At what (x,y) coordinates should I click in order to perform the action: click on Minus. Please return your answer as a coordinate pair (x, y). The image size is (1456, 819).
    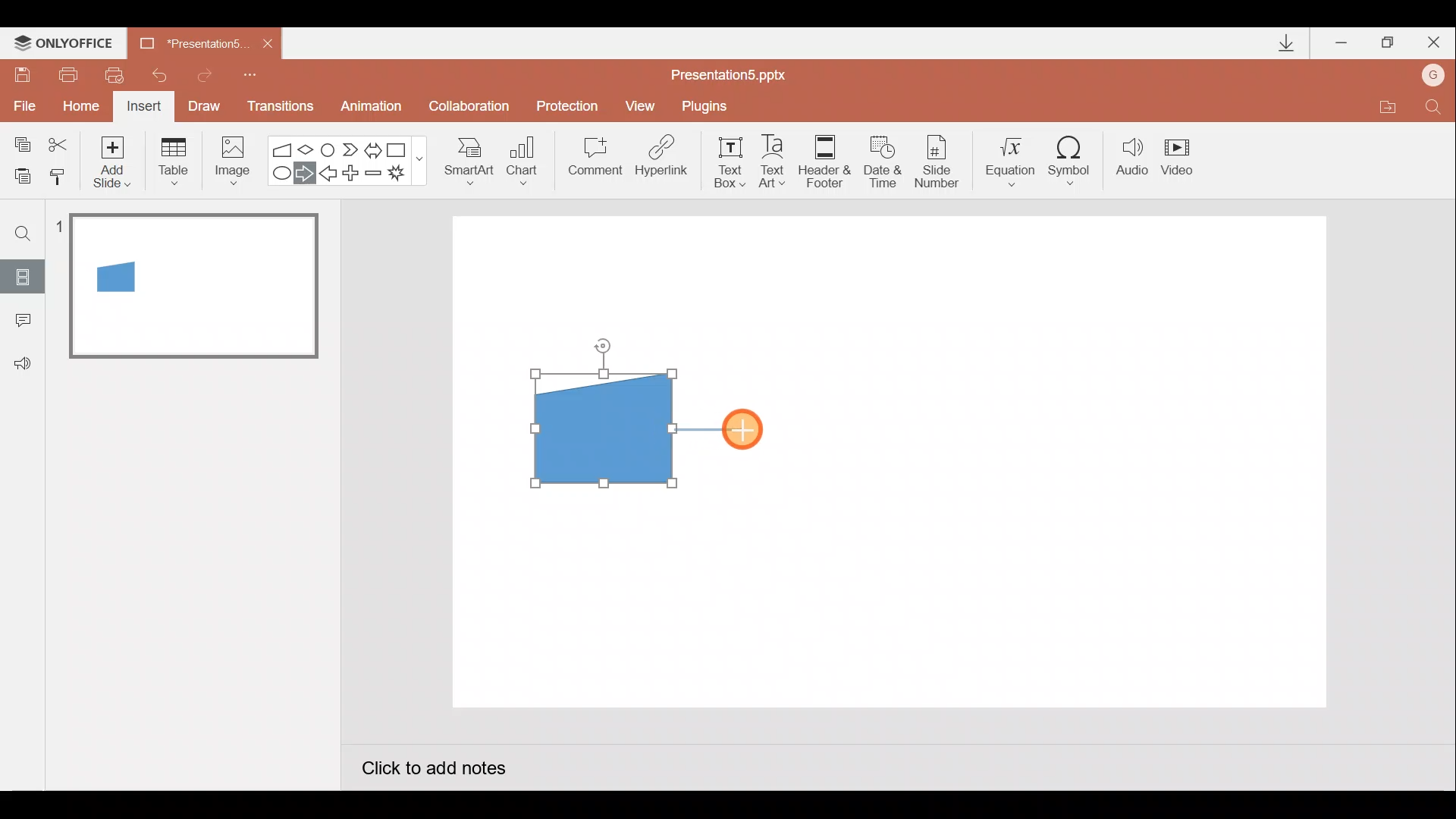
    Looking at the image, I should click on (375, 176).